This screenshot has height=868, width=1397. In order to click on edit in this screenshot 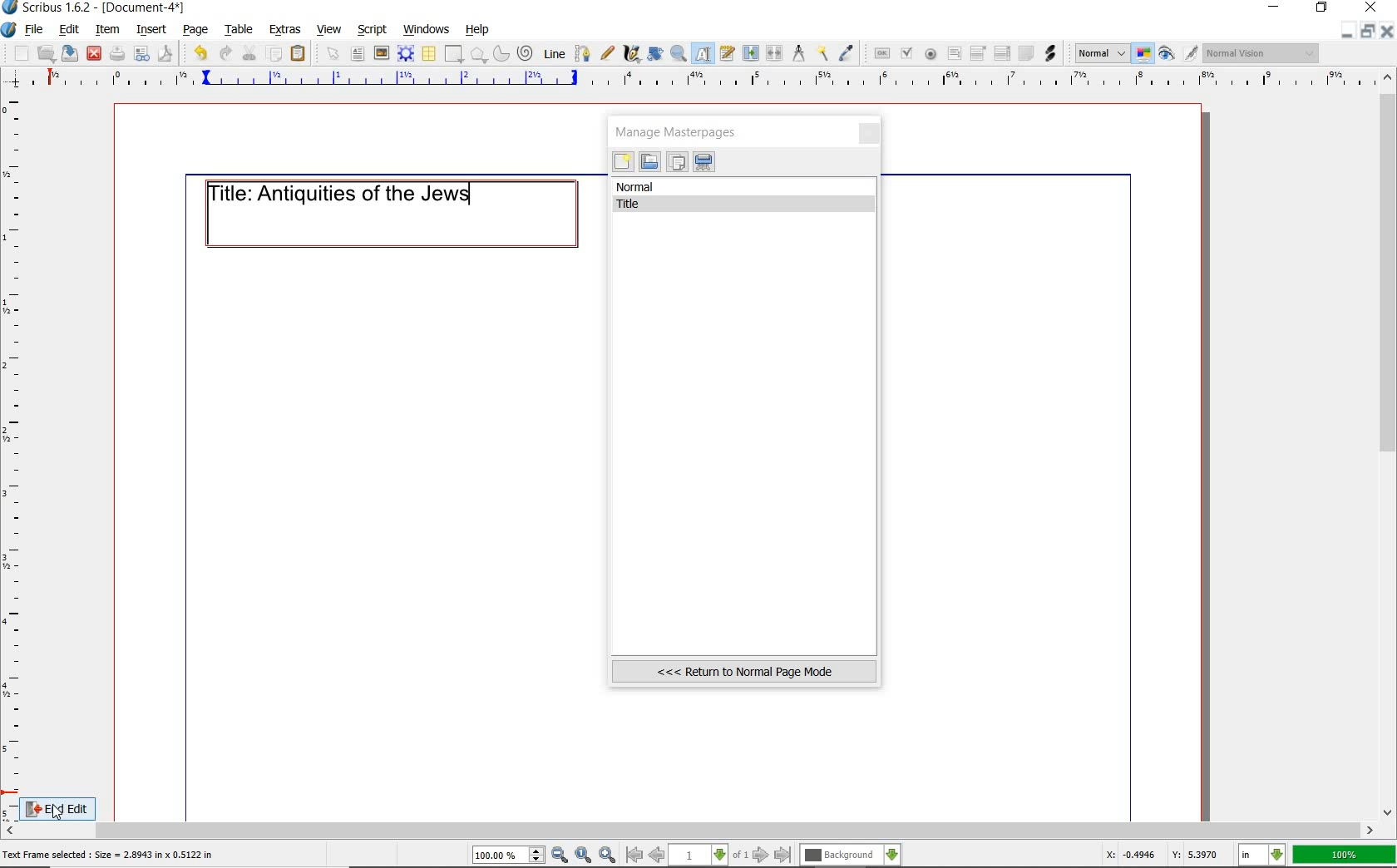, I will do `click(67, 31)`.